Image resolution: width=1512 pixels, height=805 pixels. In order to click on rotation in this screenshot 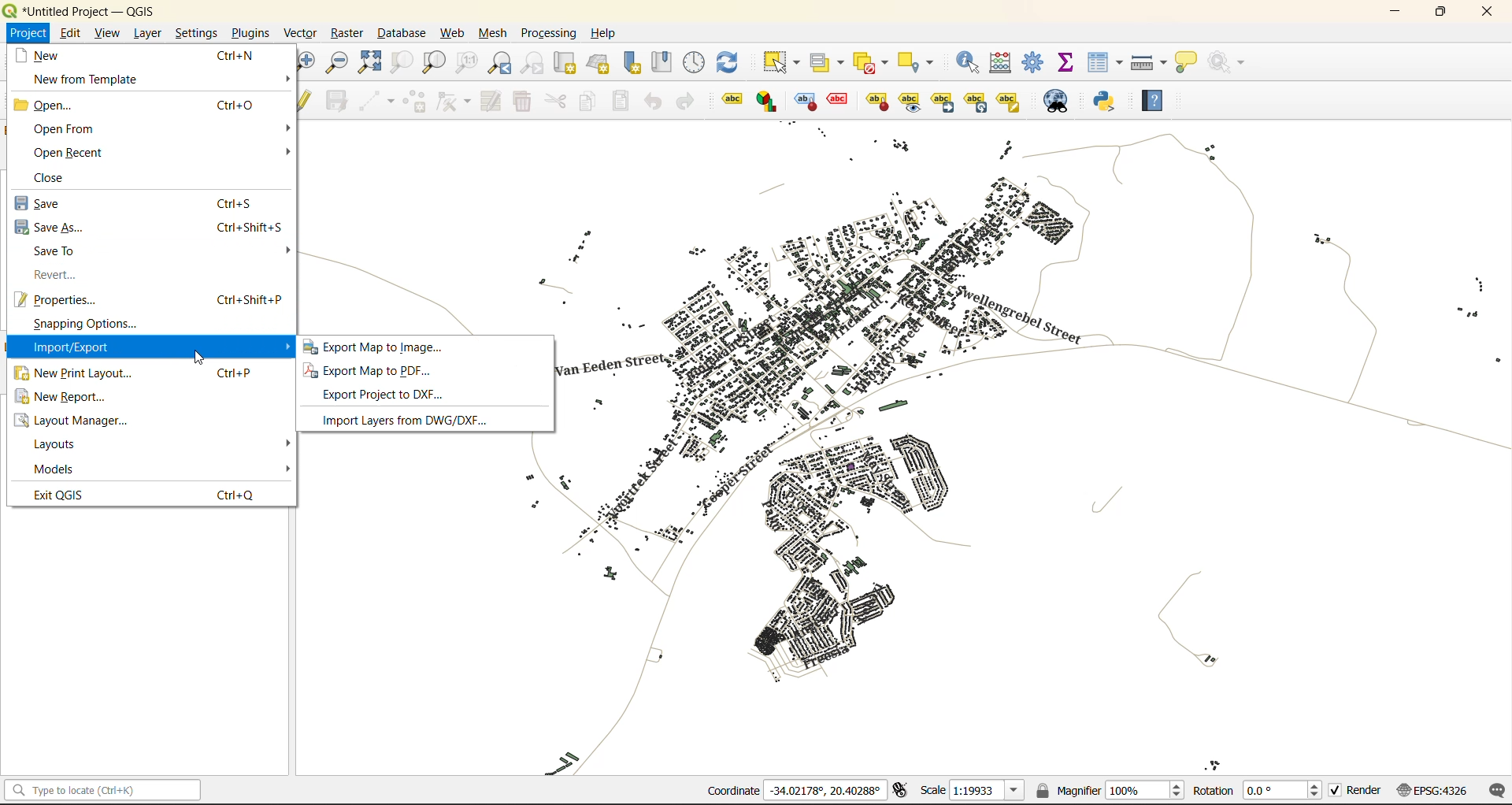, I will do `click(1258, 789)`.